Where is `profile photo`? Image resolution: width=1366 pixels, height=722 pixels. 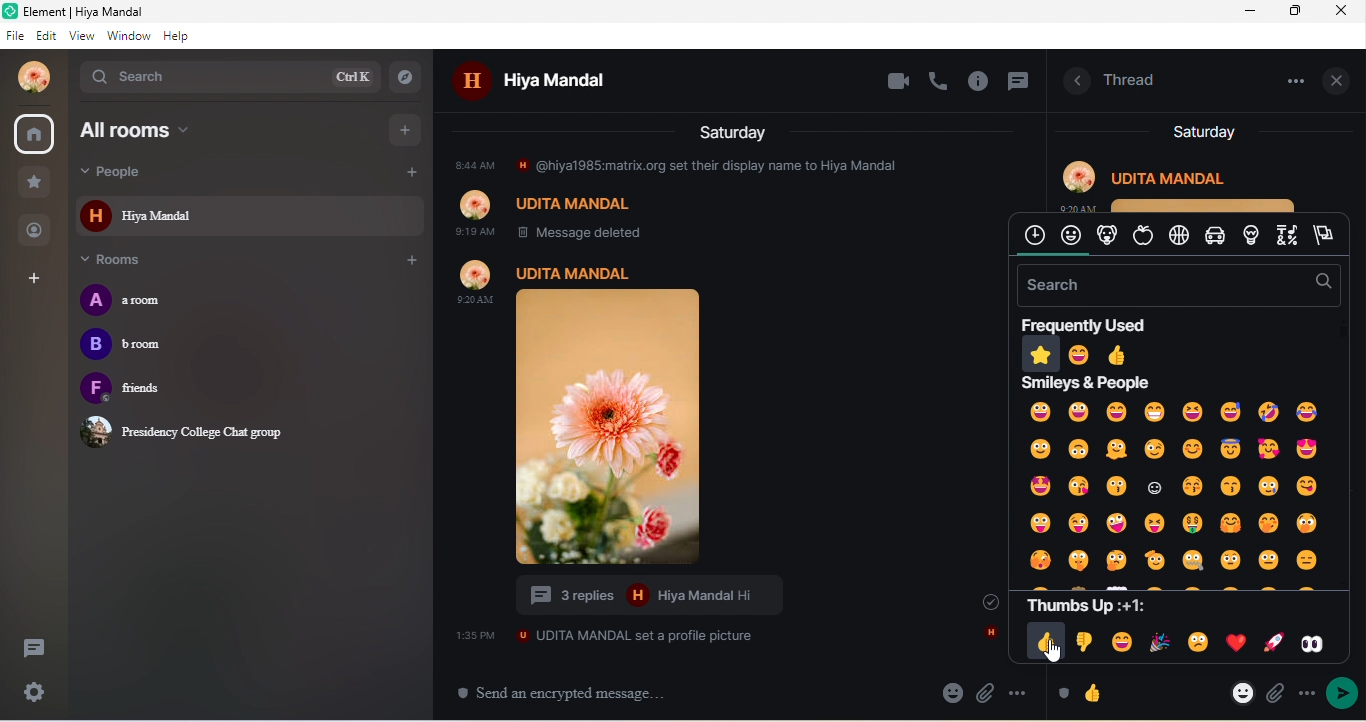 profile photo is located at coordinates (639, 413).